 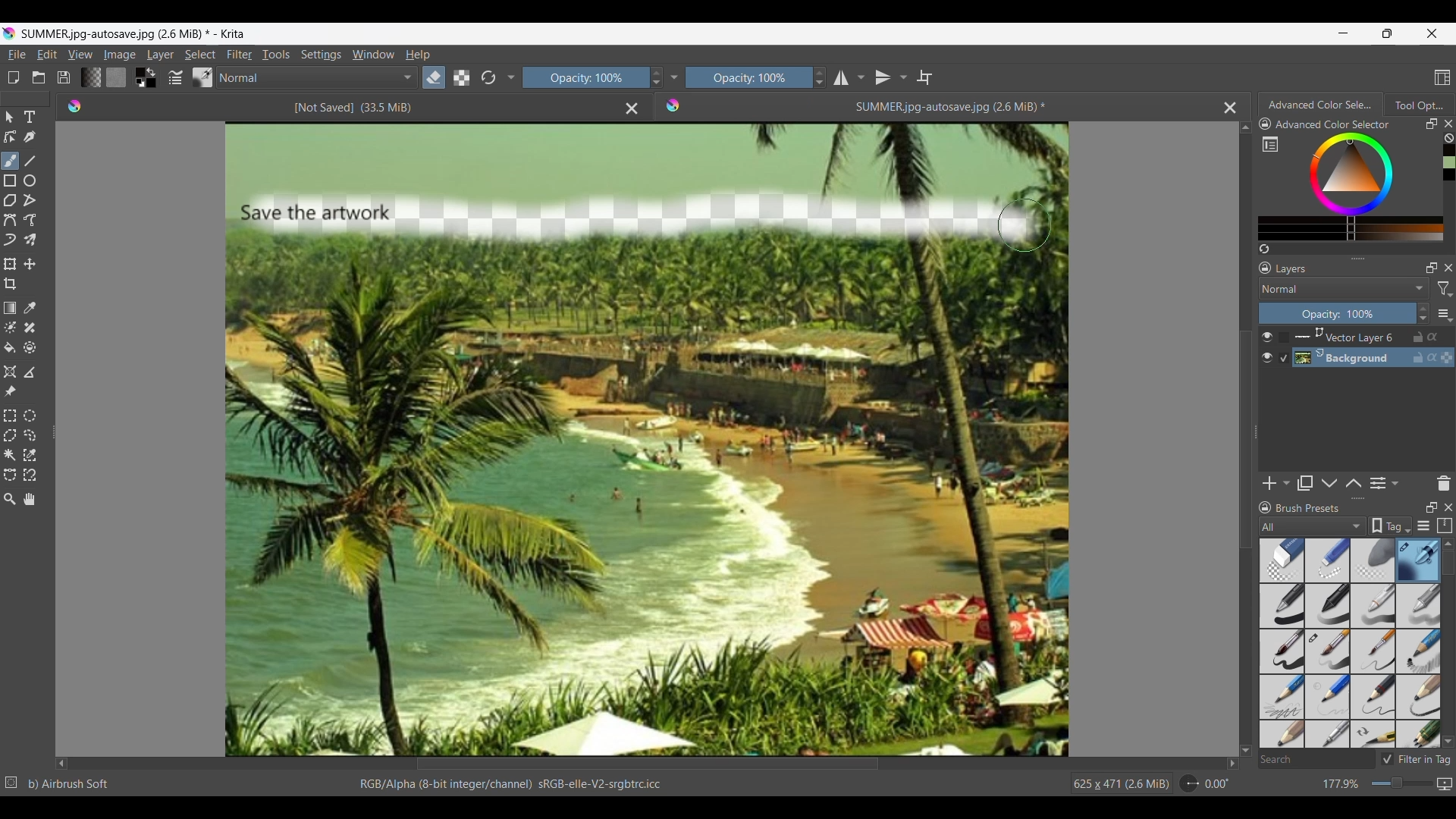 What do you see at coordinates (1357, 258) in the screenshot?
I see `Change height of panels attached to this line` at bounding box center [1357, 258].